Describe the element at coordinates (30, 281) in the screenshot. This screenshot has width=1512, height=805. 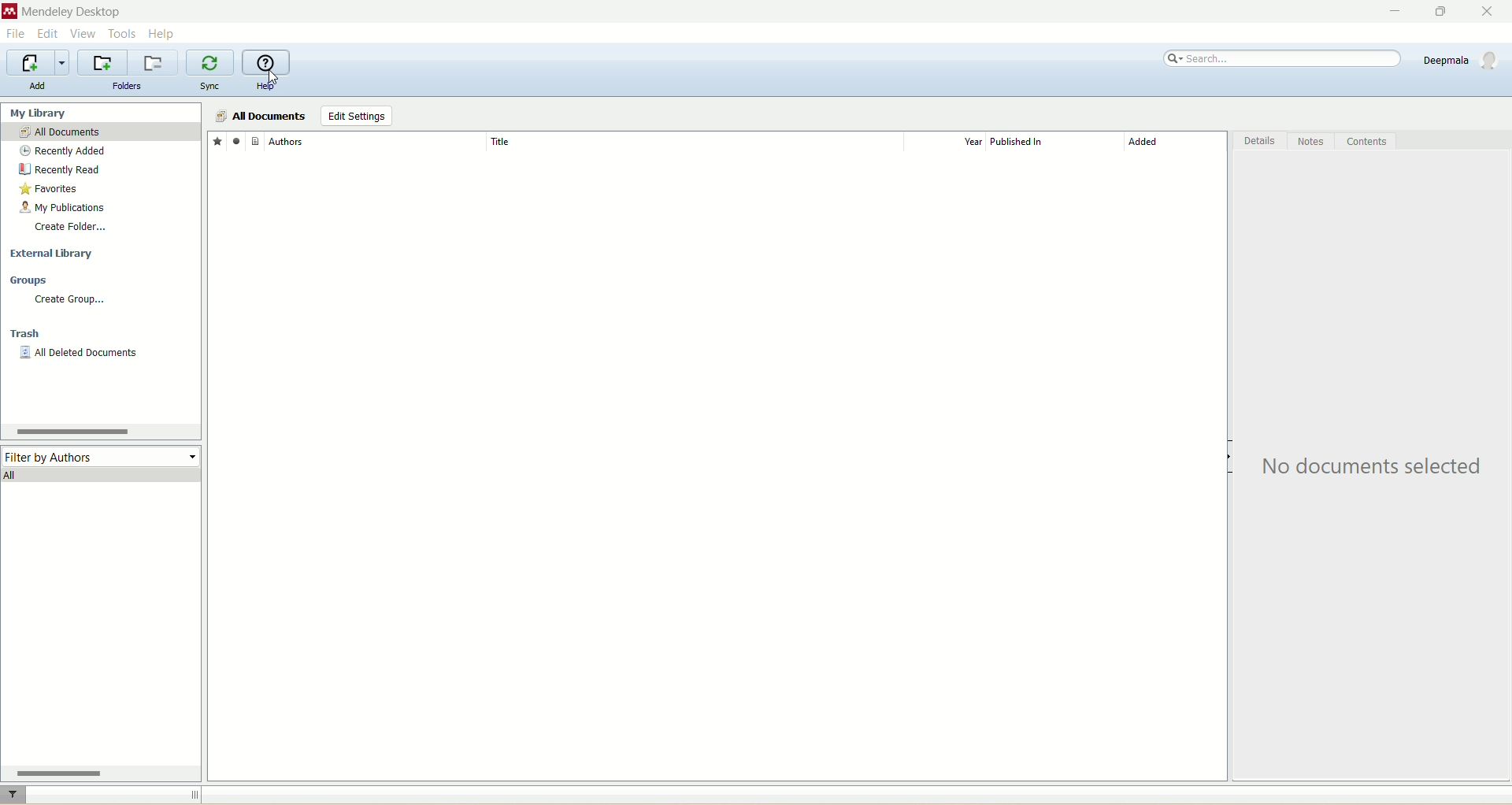
I see `groups` at that location.